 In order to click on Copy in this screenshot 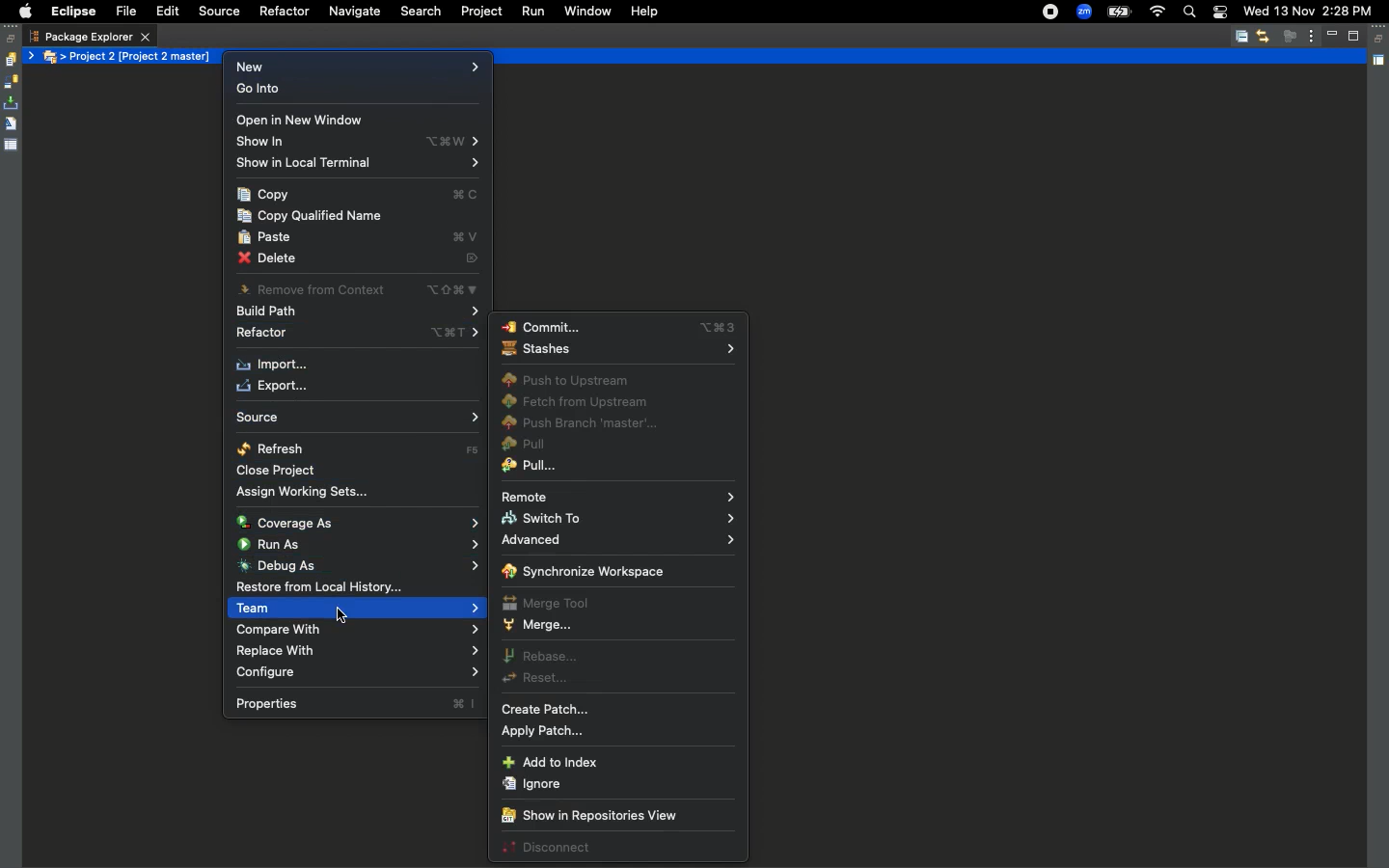, I will do `click(363, 195)`.